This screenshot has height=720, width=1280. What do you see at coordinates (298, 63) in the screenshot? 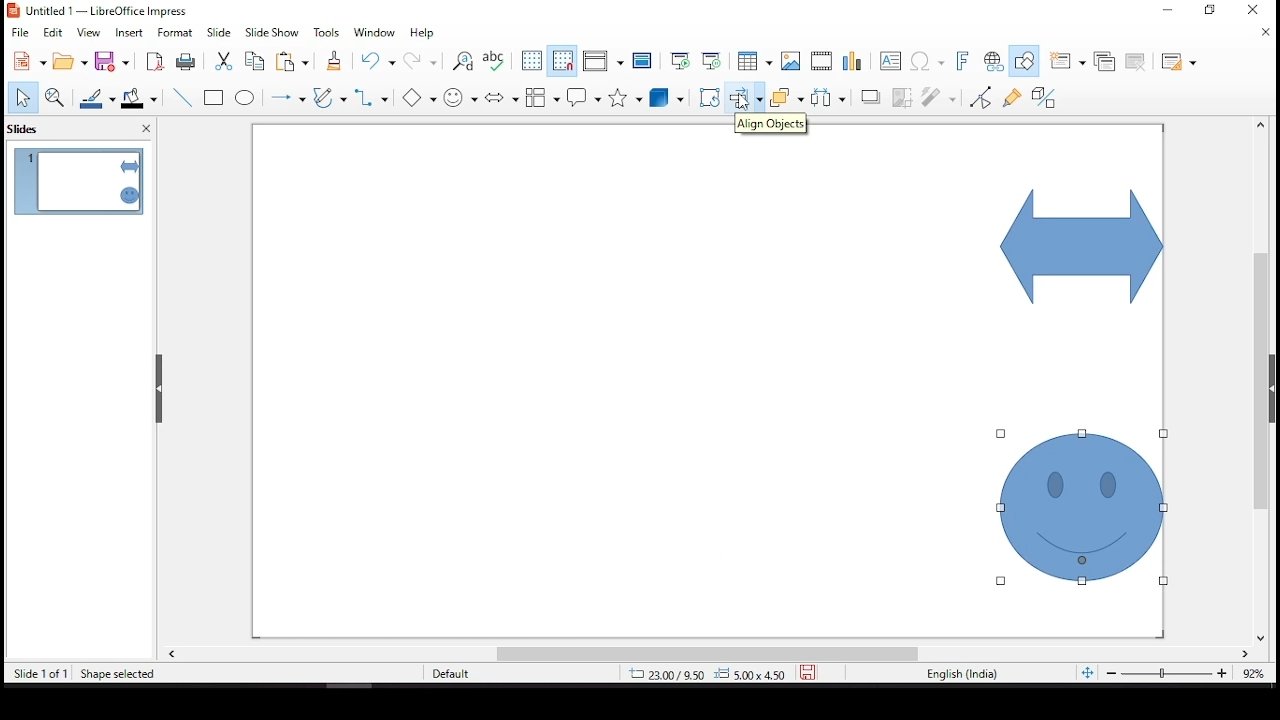
I see `paste` at bounding box center [298, 63].